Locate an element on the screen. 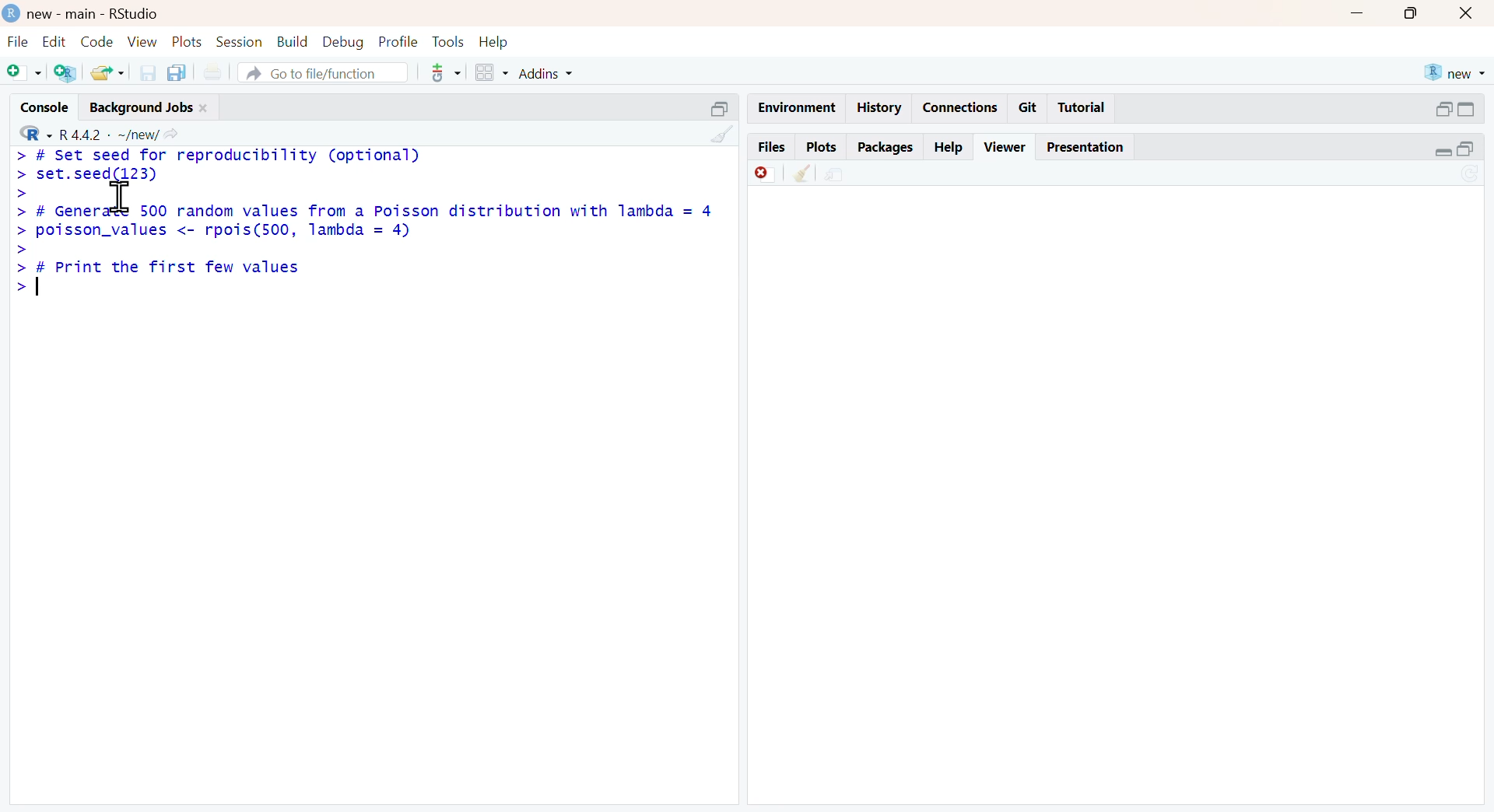  Background jobs is located at coordinates (142, 110).